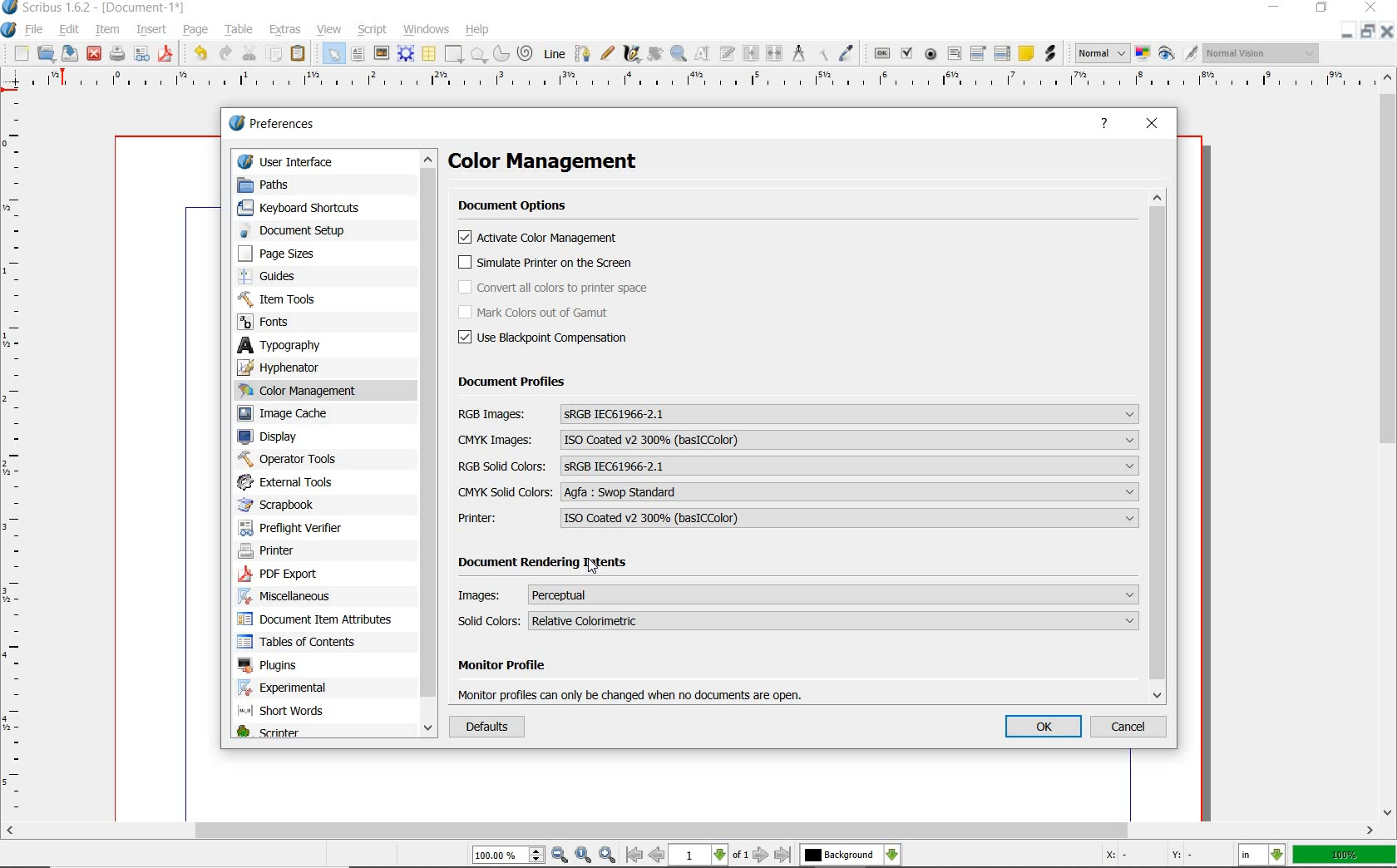 The width and height of the screenshot is (1397, 868). Describe the element at coordinates (633, 56) in the screenshot. I see `calligraphic line` at that location.